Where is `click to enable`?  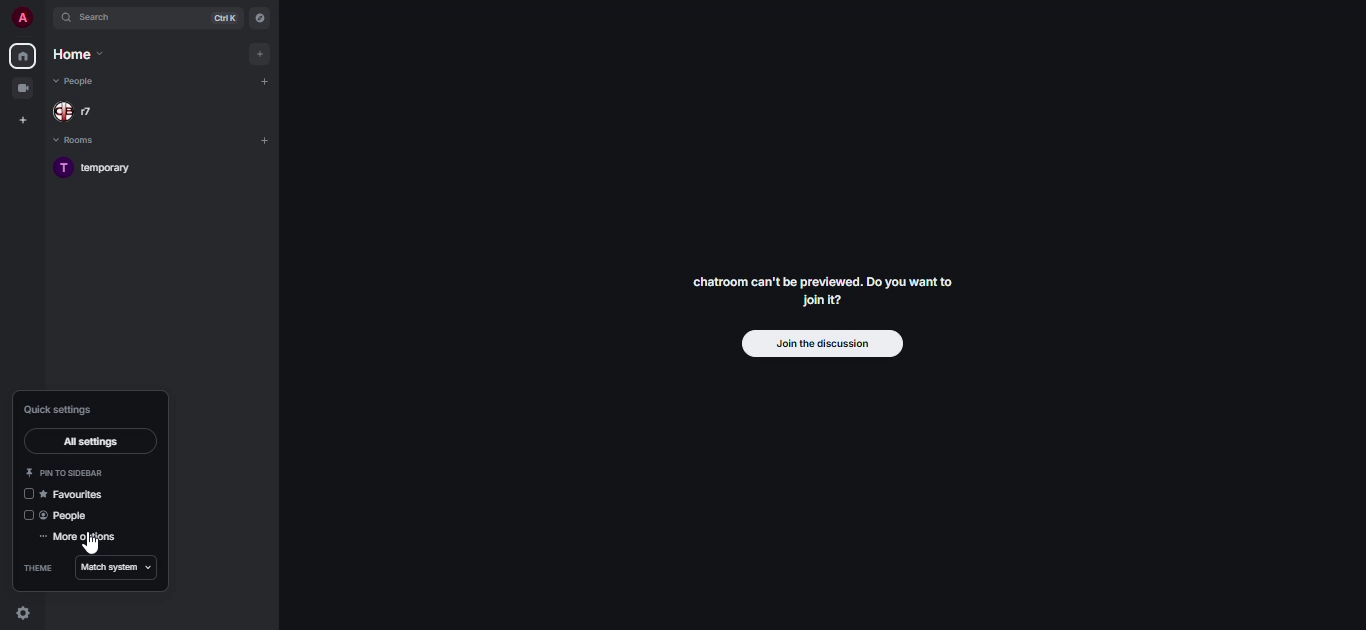
click to enable is located at coordinates (24, 516).